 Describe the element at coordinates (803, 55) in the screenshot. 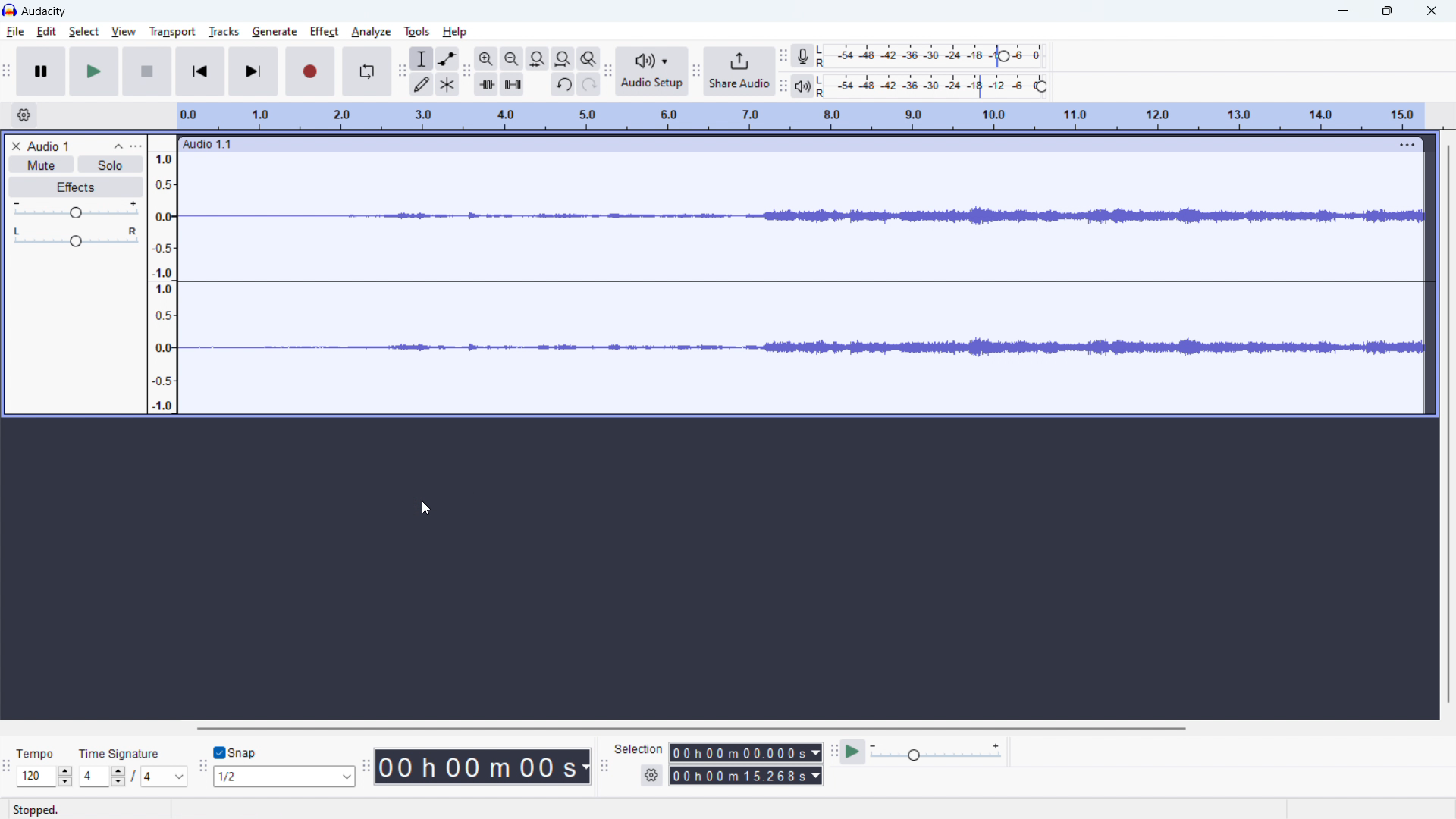

I see `recording meter` at that location.